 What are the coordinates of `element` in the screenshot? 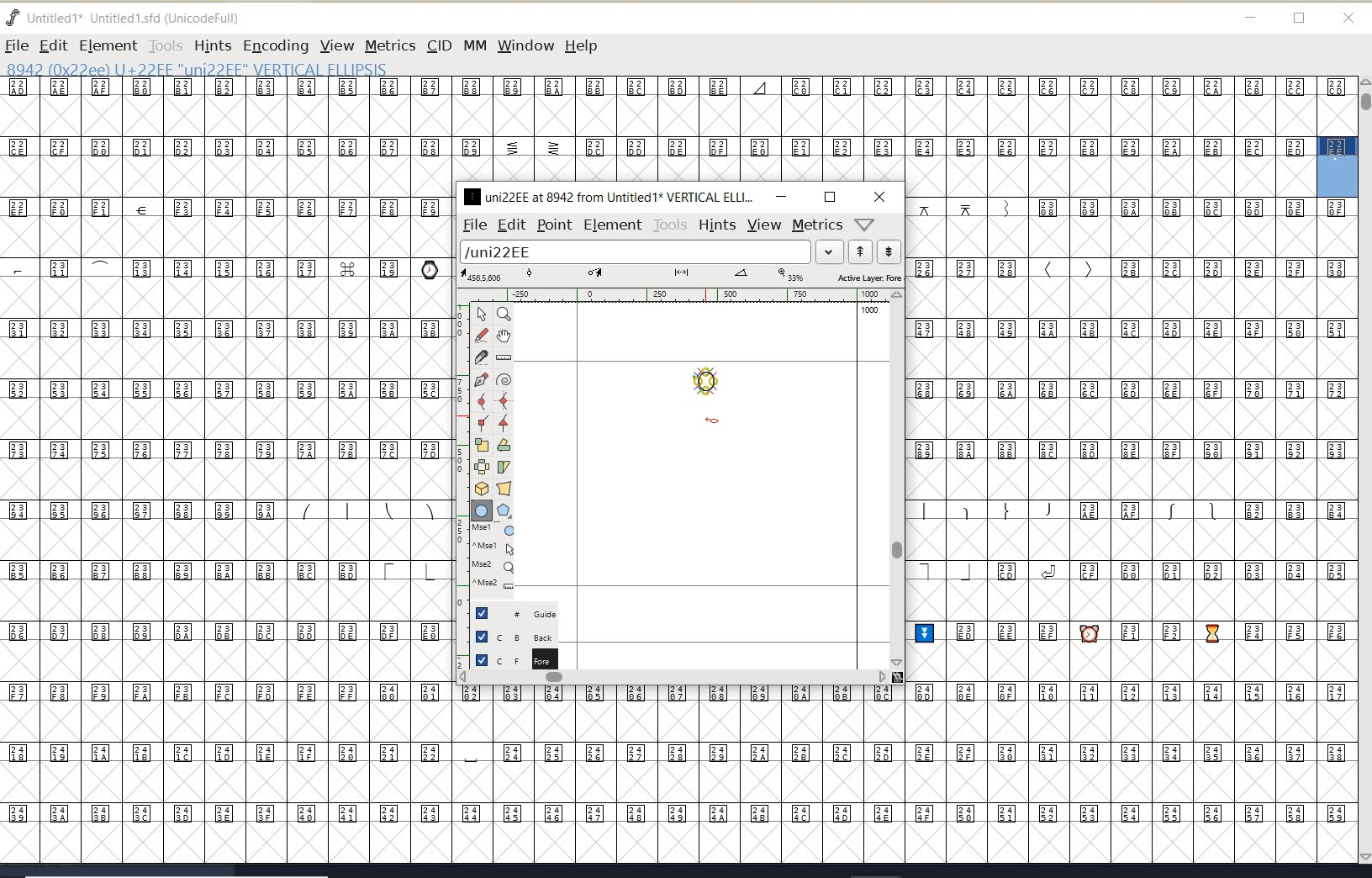 It's located at (613, 225).